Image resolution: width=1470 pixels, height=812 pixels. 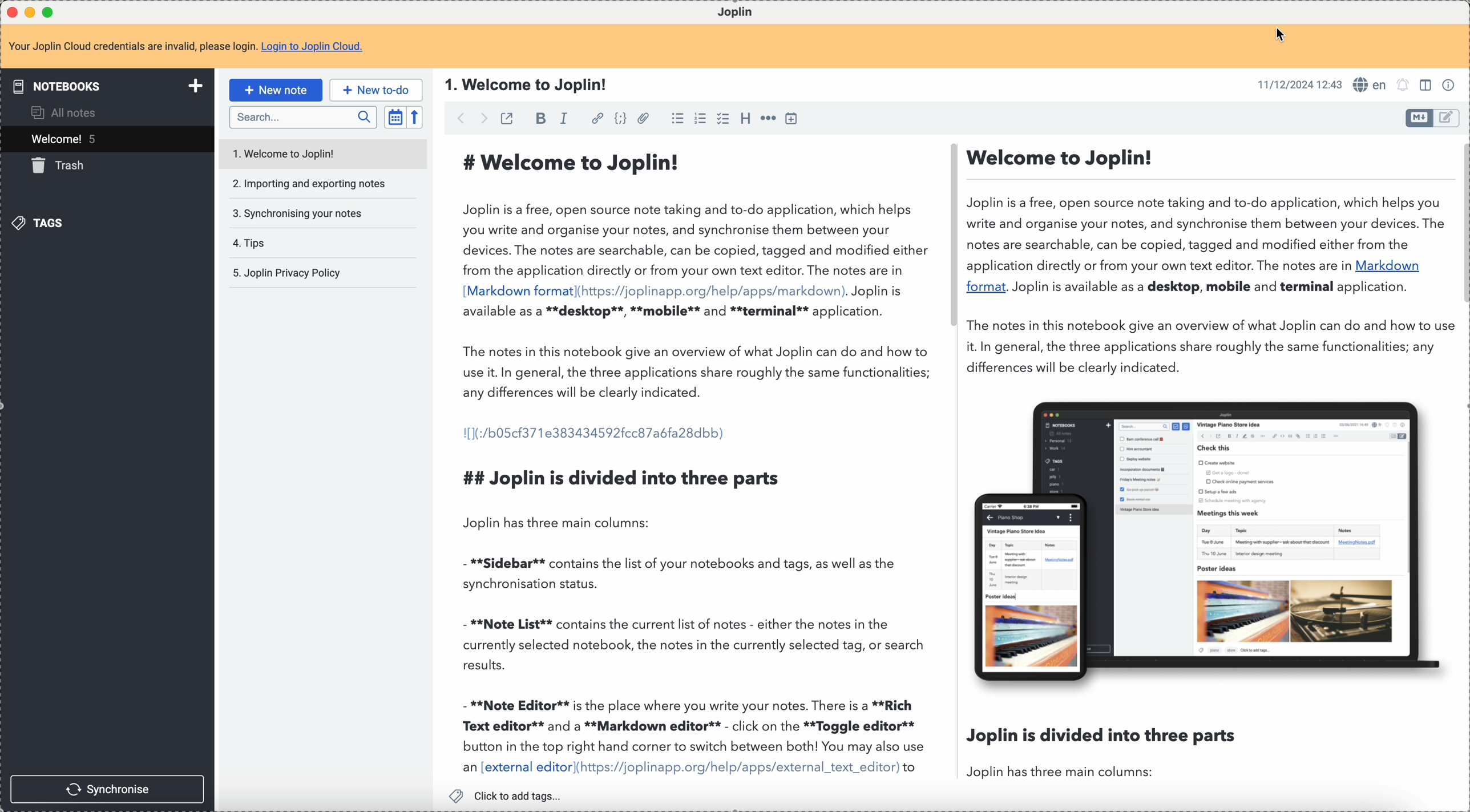 What do you see at coordinates (1159, 265) in the screenshot?
I see `application directly or from your own text editor. The notes are in` at bounding box center [1159, 265].